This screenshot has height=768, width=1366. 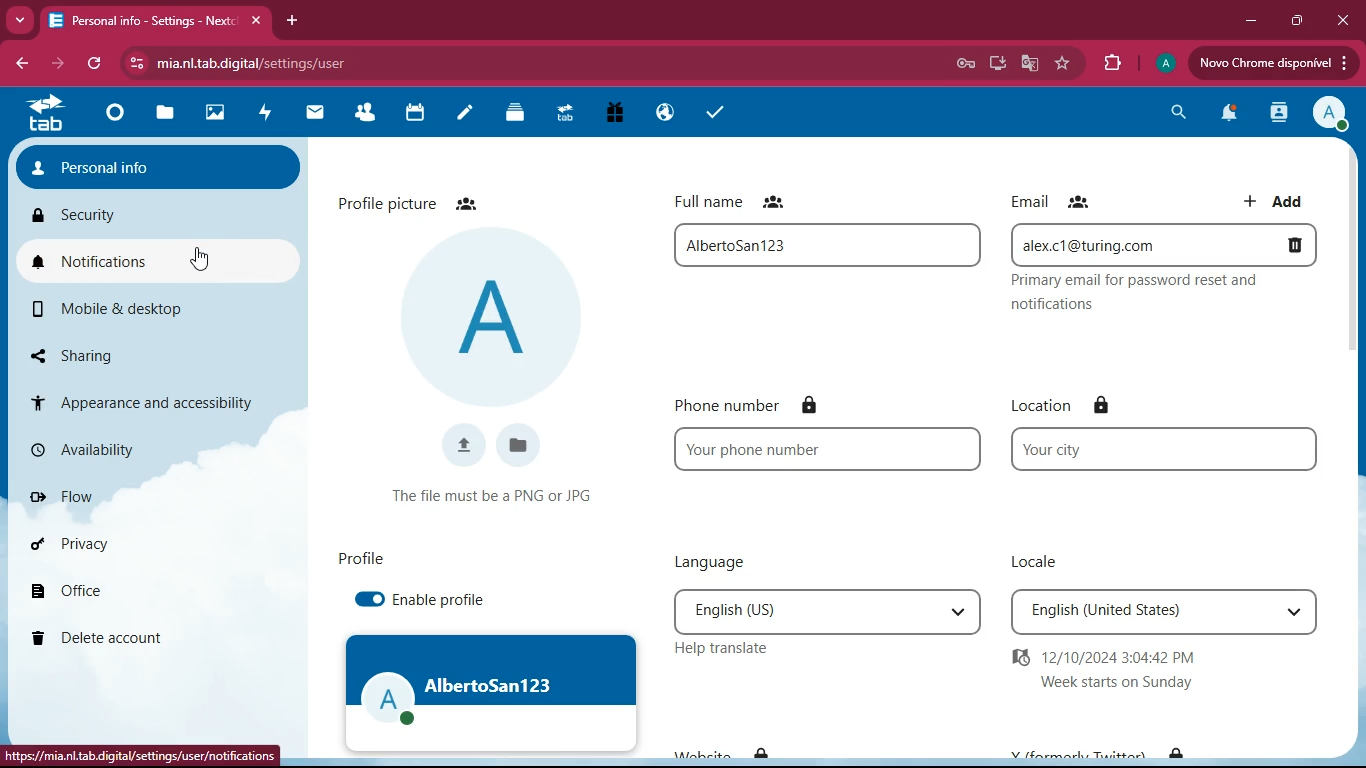 What do you see at coordinates (1033, 559) in the screenshot?
I see `locale` at bounding box center [1033, 559].